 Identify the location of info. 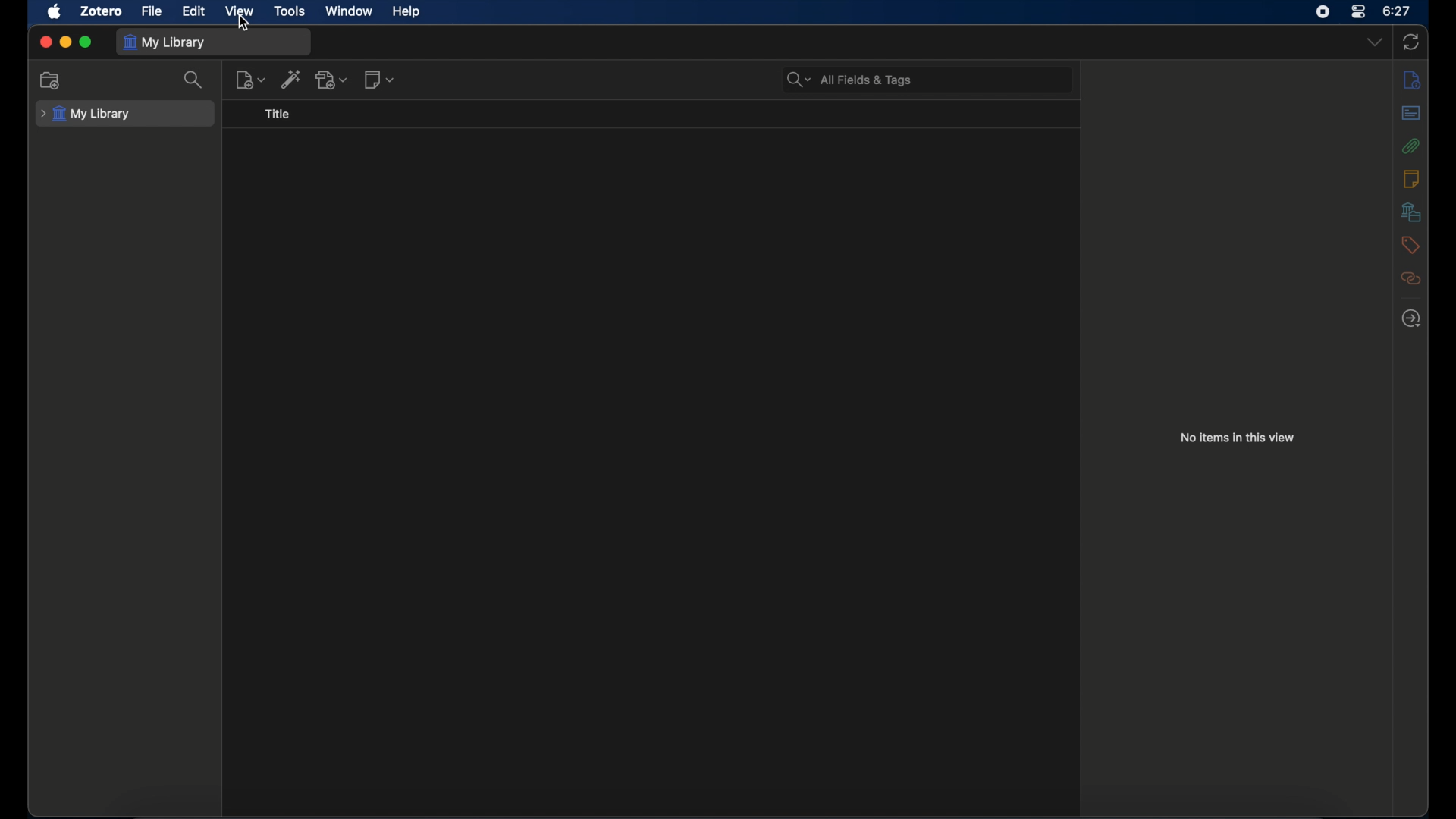
(1412, 80).